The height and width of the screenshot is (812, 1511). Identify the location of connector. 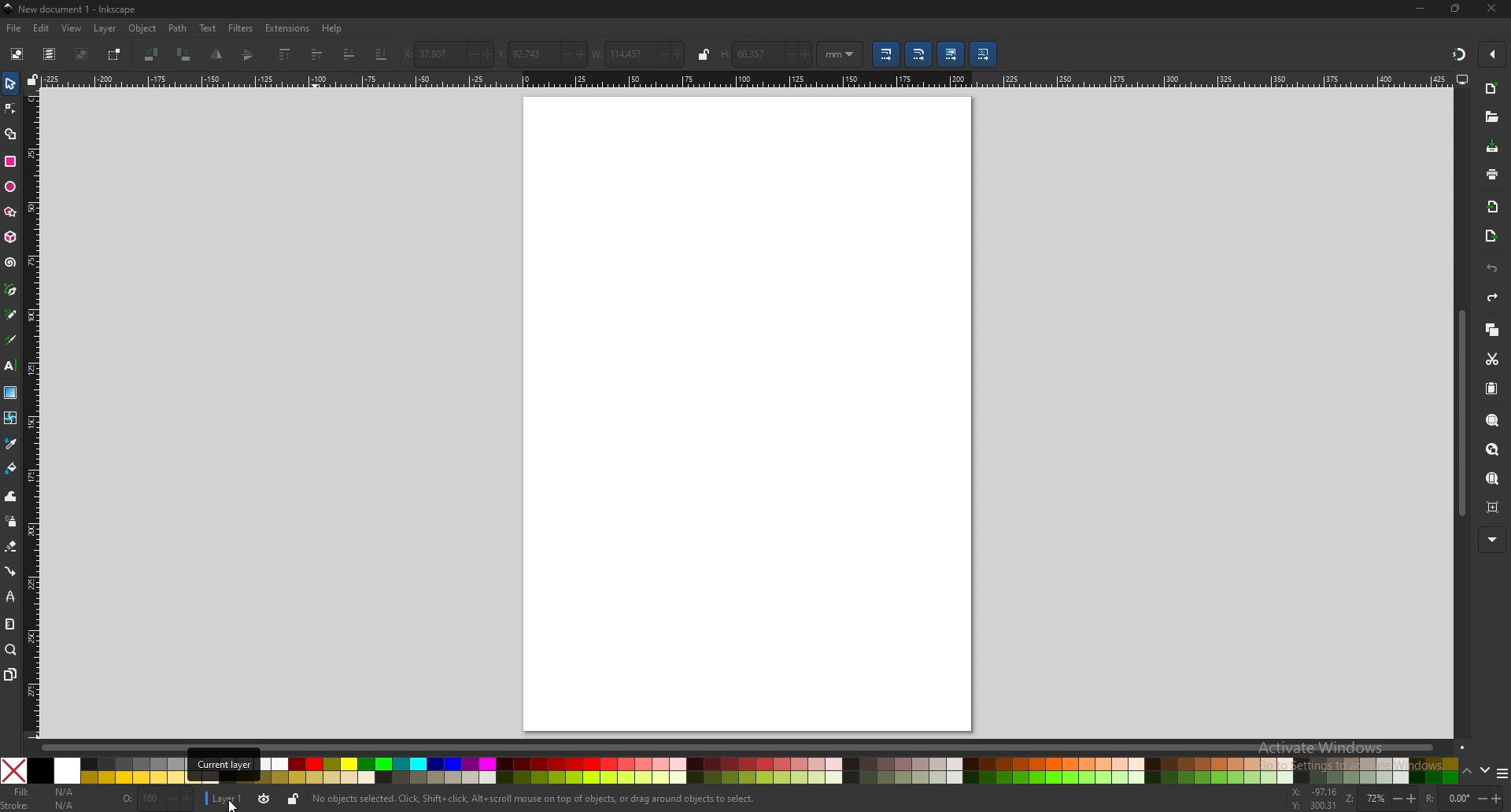
(13, 571).